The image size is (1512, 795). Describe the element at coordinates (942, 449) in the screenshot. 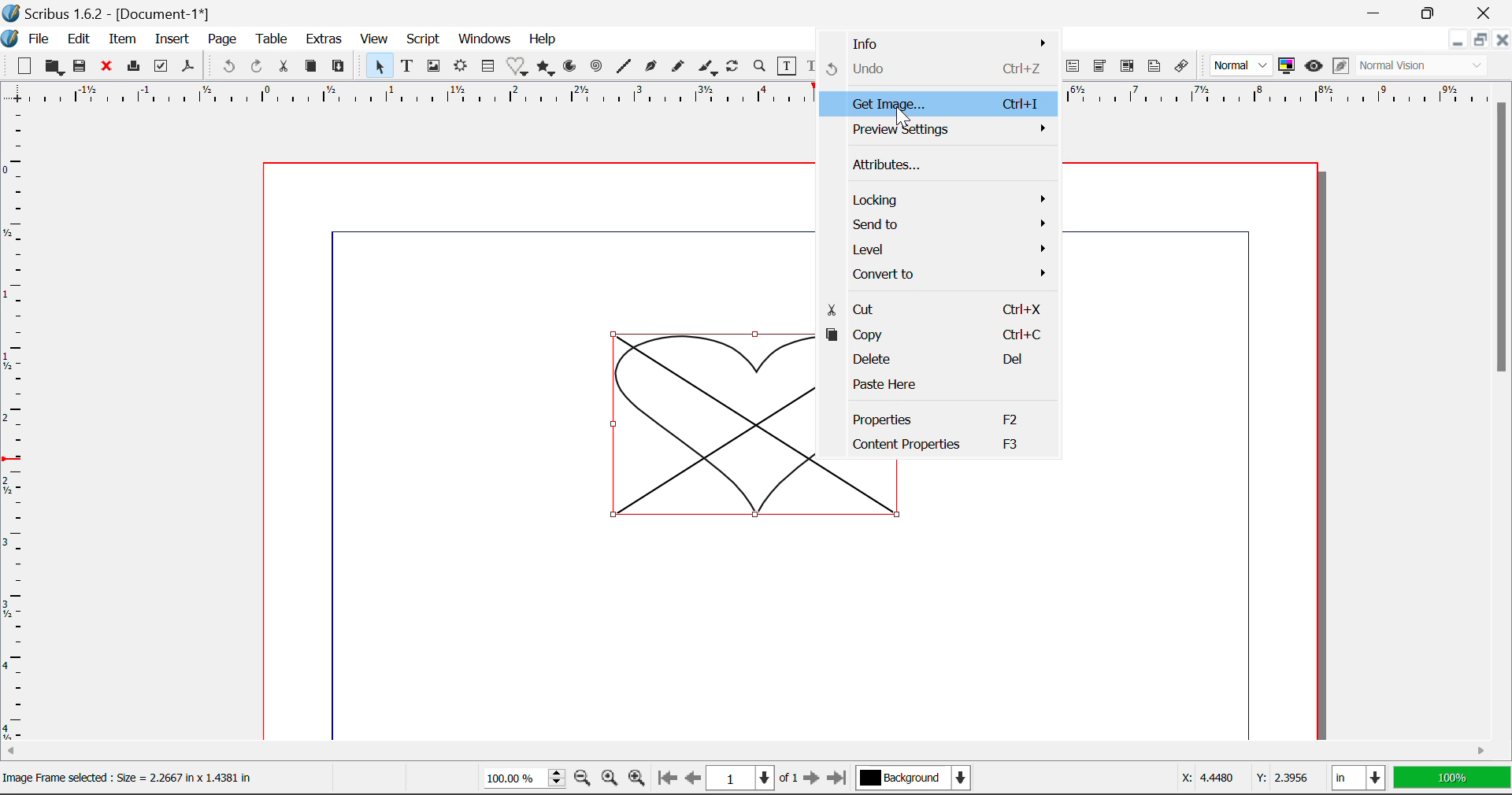

I see `Content Properties` at that location.